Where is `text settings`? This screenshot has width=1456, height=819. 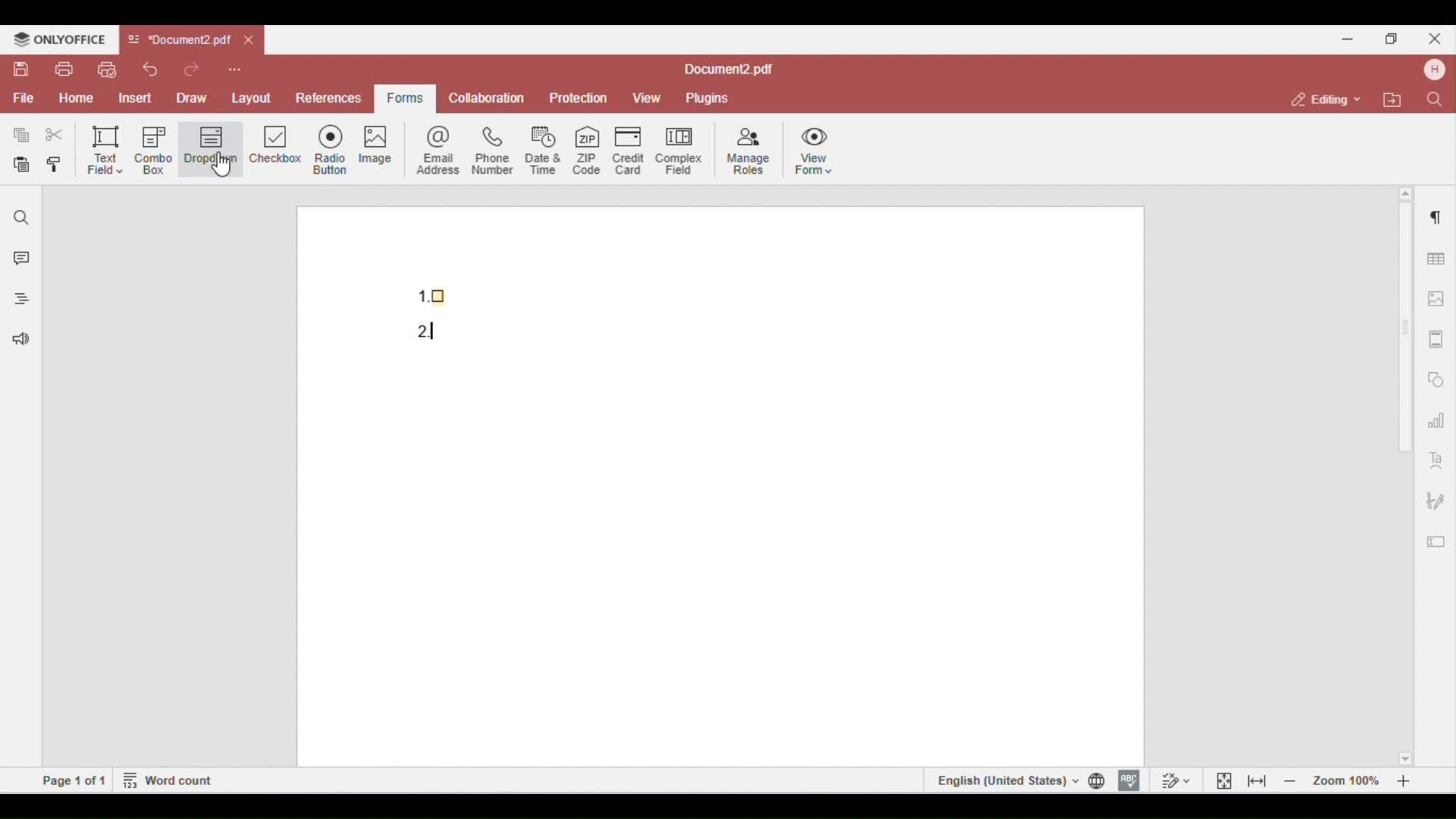
text settings is located at coordinates (1436, 459).